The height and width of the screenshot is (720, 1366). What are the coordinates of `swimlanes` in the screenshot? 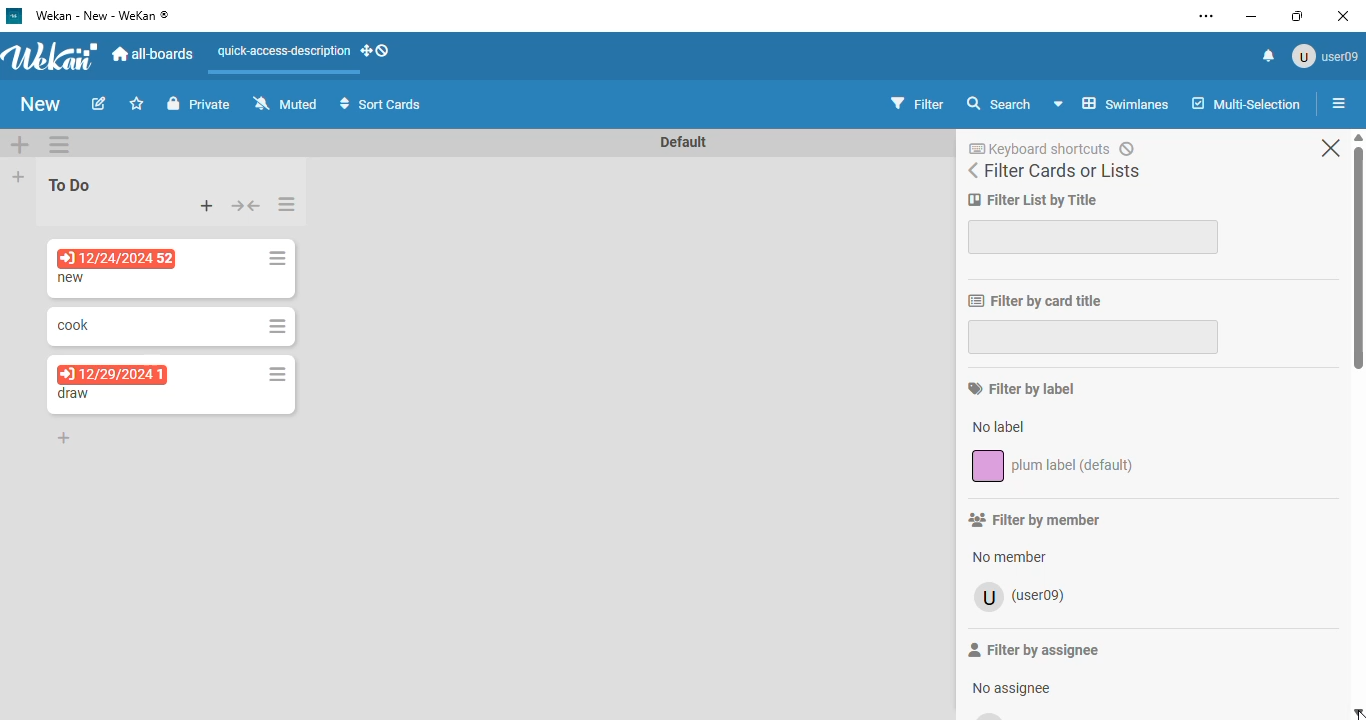 It's located at (1112, 103).